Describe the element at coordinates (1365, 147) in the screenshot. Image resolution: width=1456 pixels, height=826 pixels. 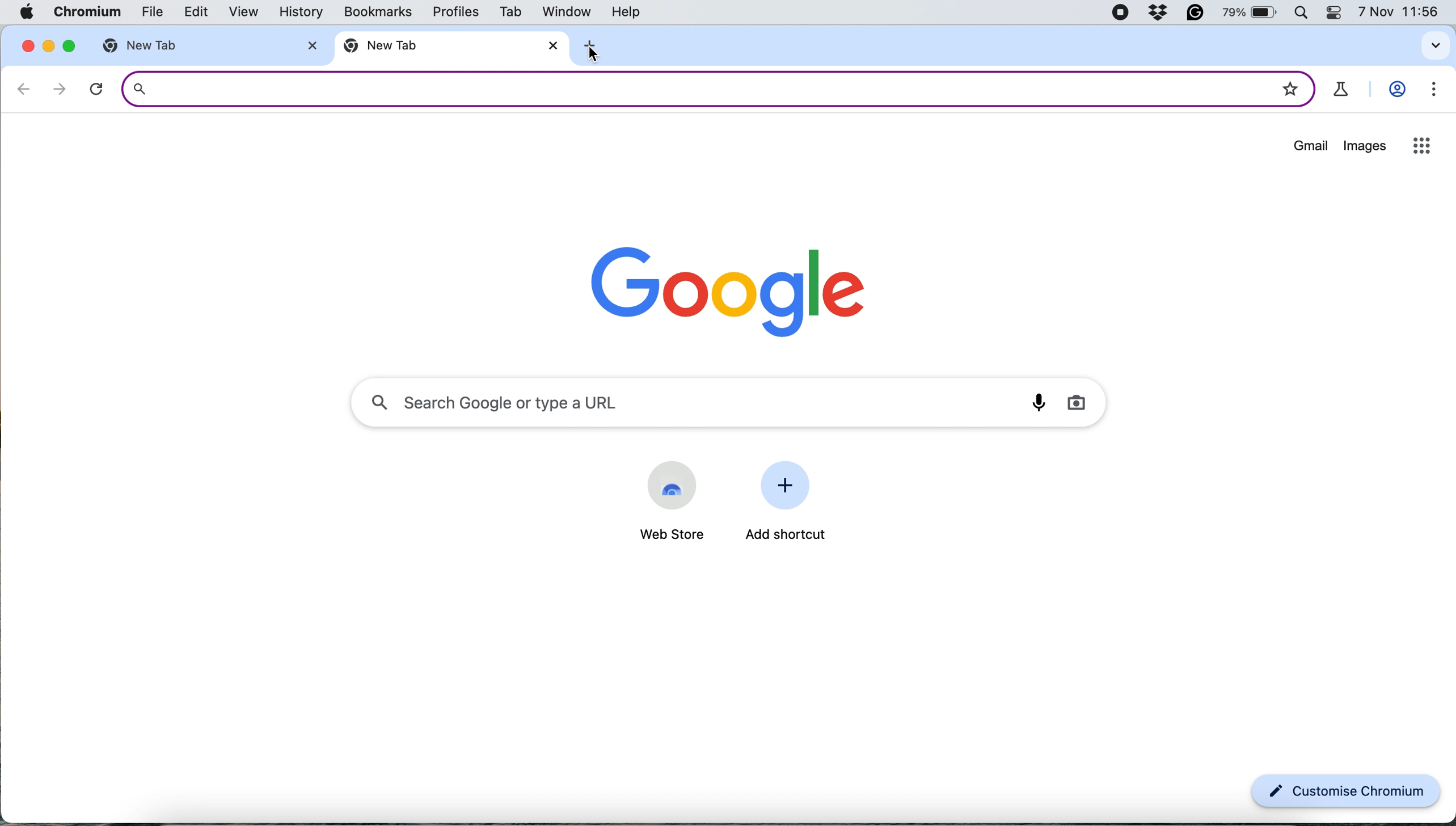
I see `images` at that location.